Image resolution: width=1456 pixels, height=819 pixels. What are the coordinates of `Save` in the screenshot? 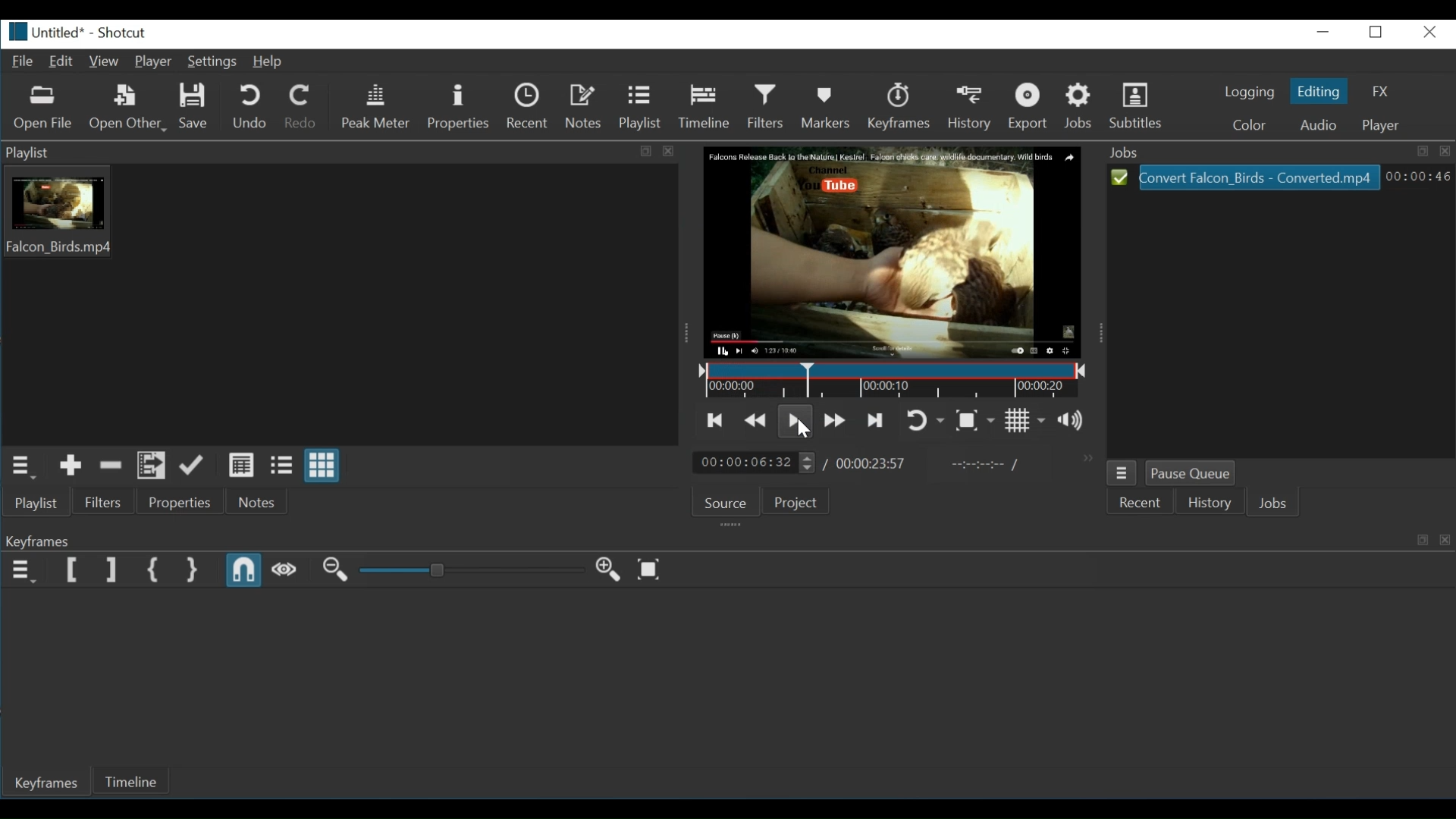 It's located at (195, 106).